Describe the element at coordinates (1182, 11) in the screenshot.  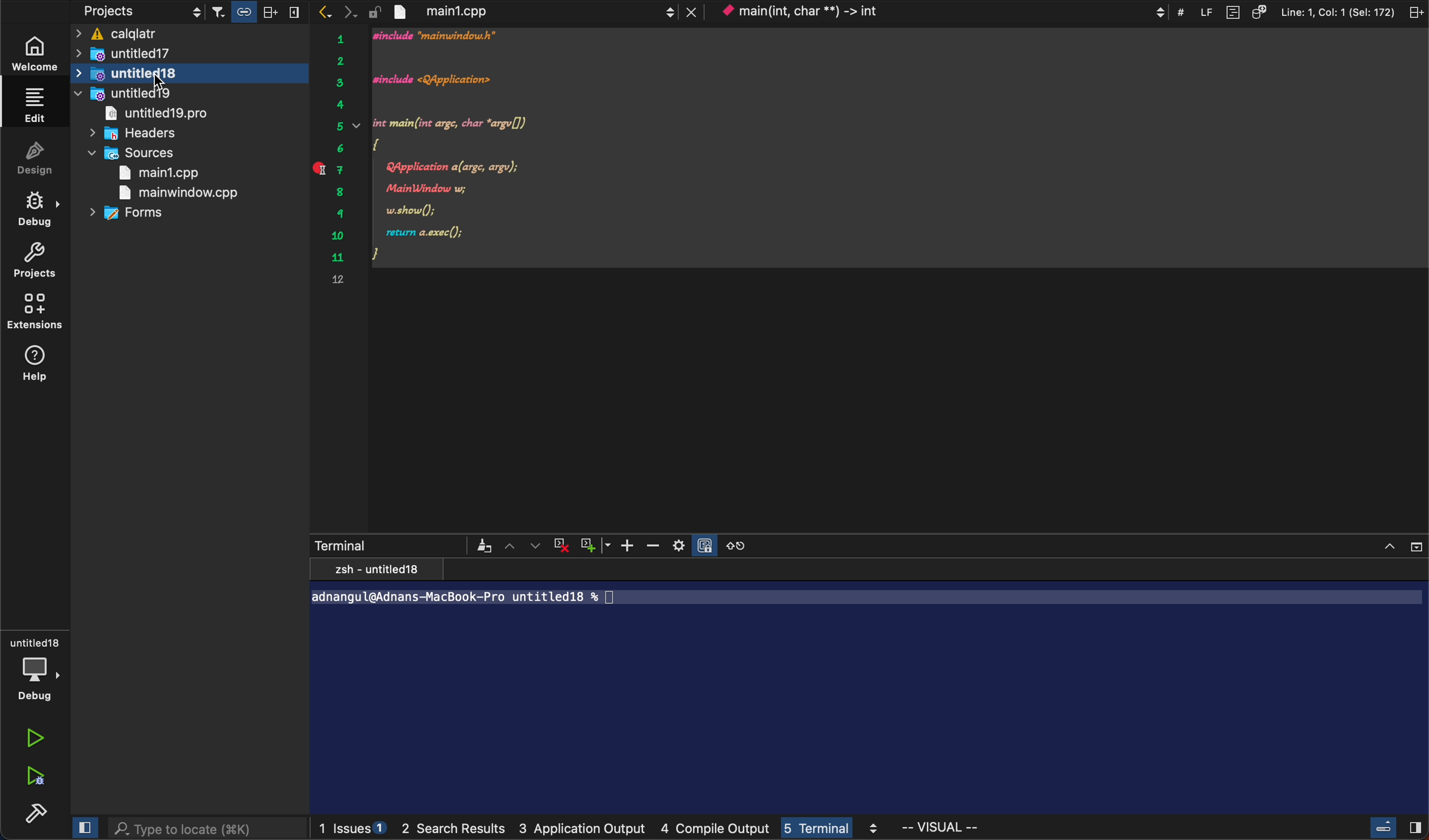
I see `#` at that location.